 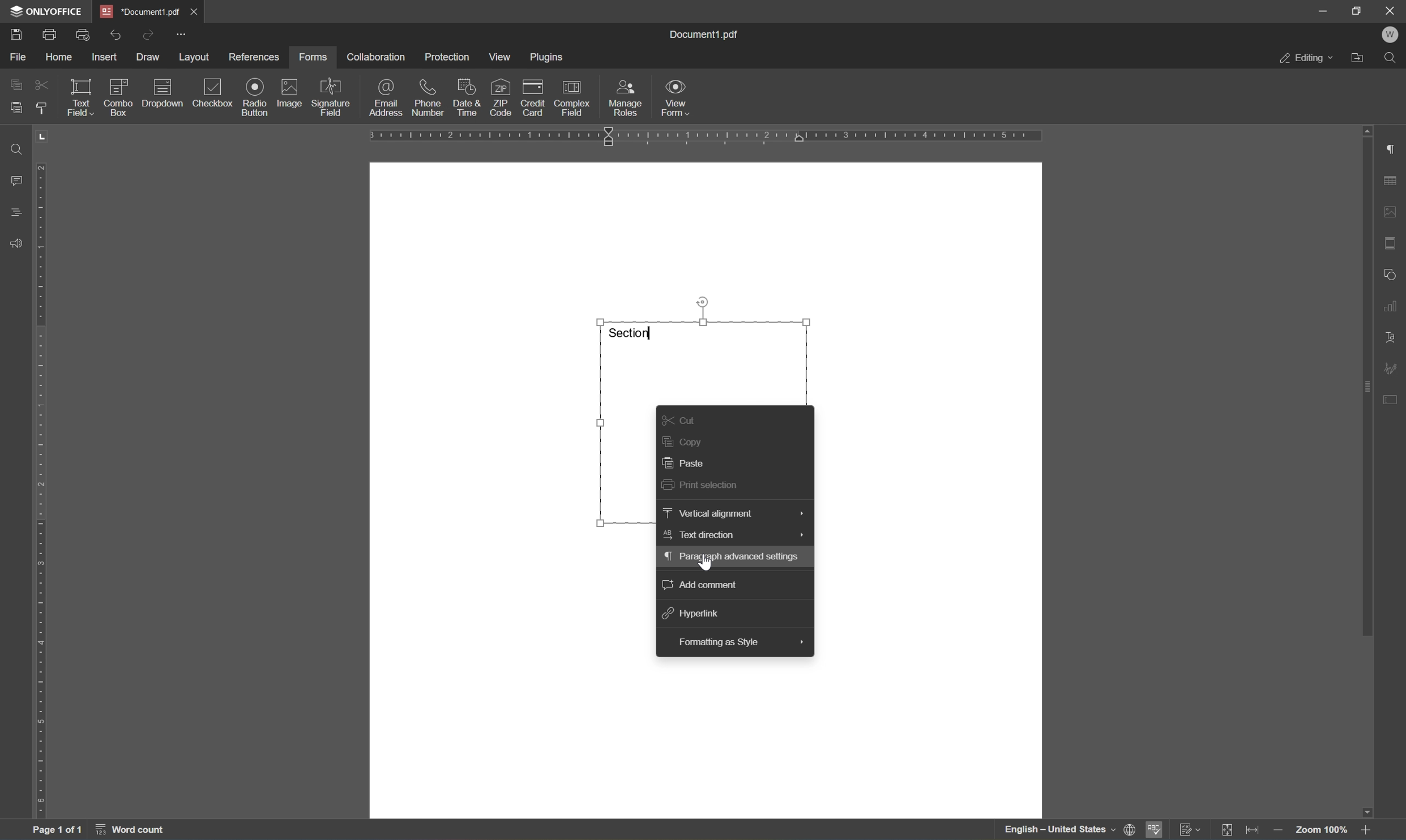 I want to click on shape settings, so click(x=1390, y=273).